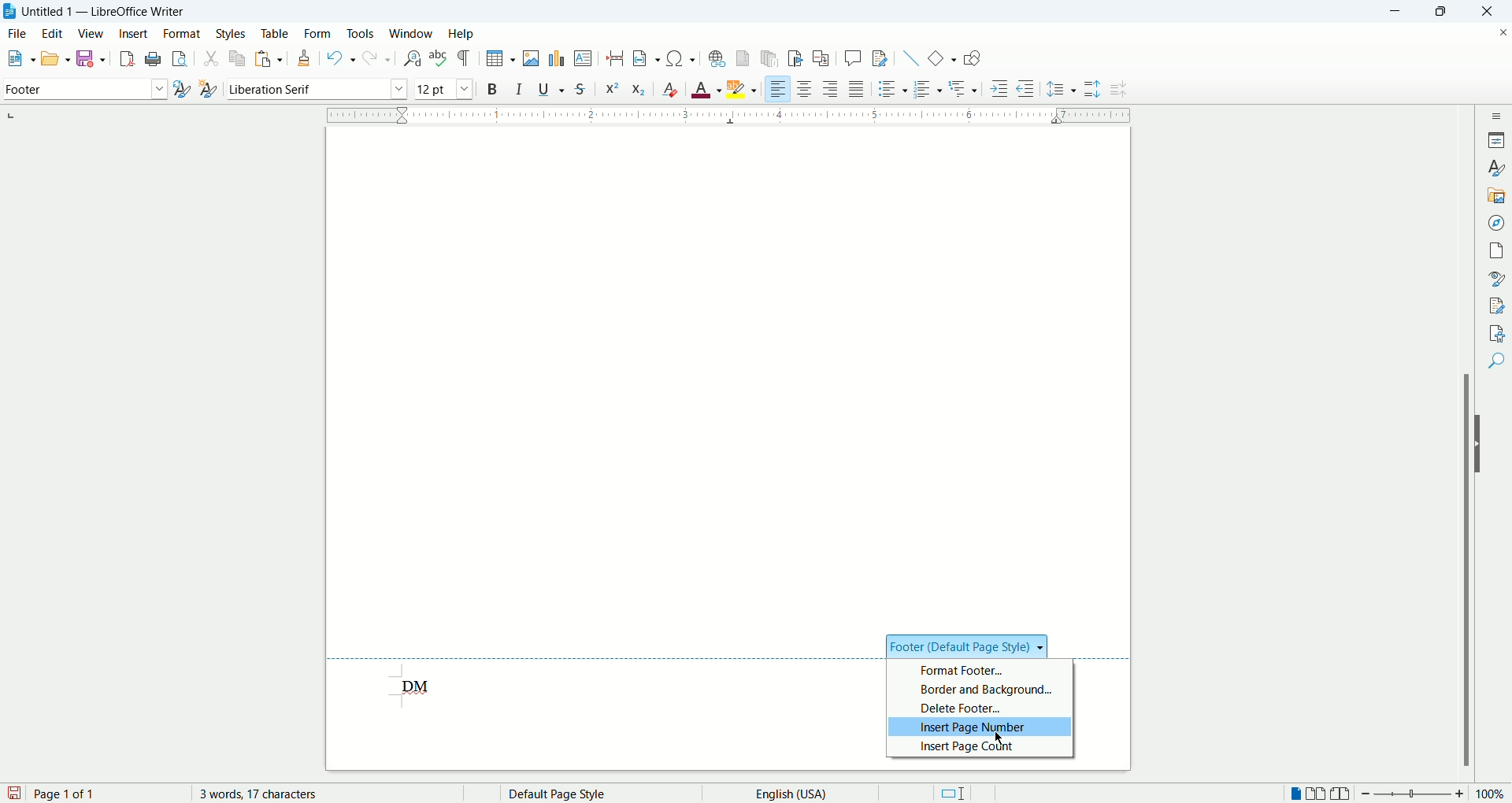  I want to click on insert endnote, so click(771, 58).